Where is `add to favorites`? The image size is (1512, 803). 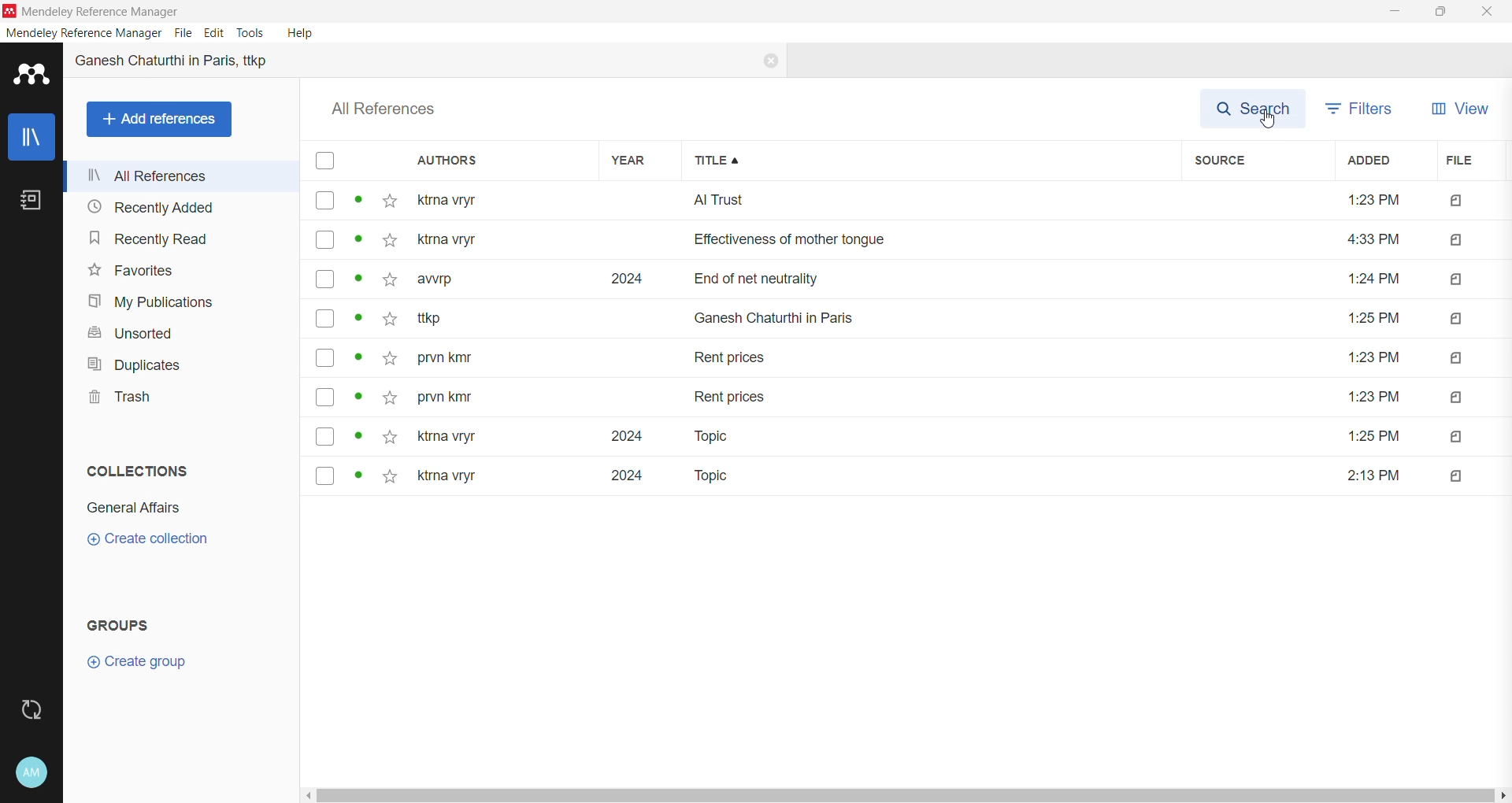
add to favorites is located at coordinates (389, 477).